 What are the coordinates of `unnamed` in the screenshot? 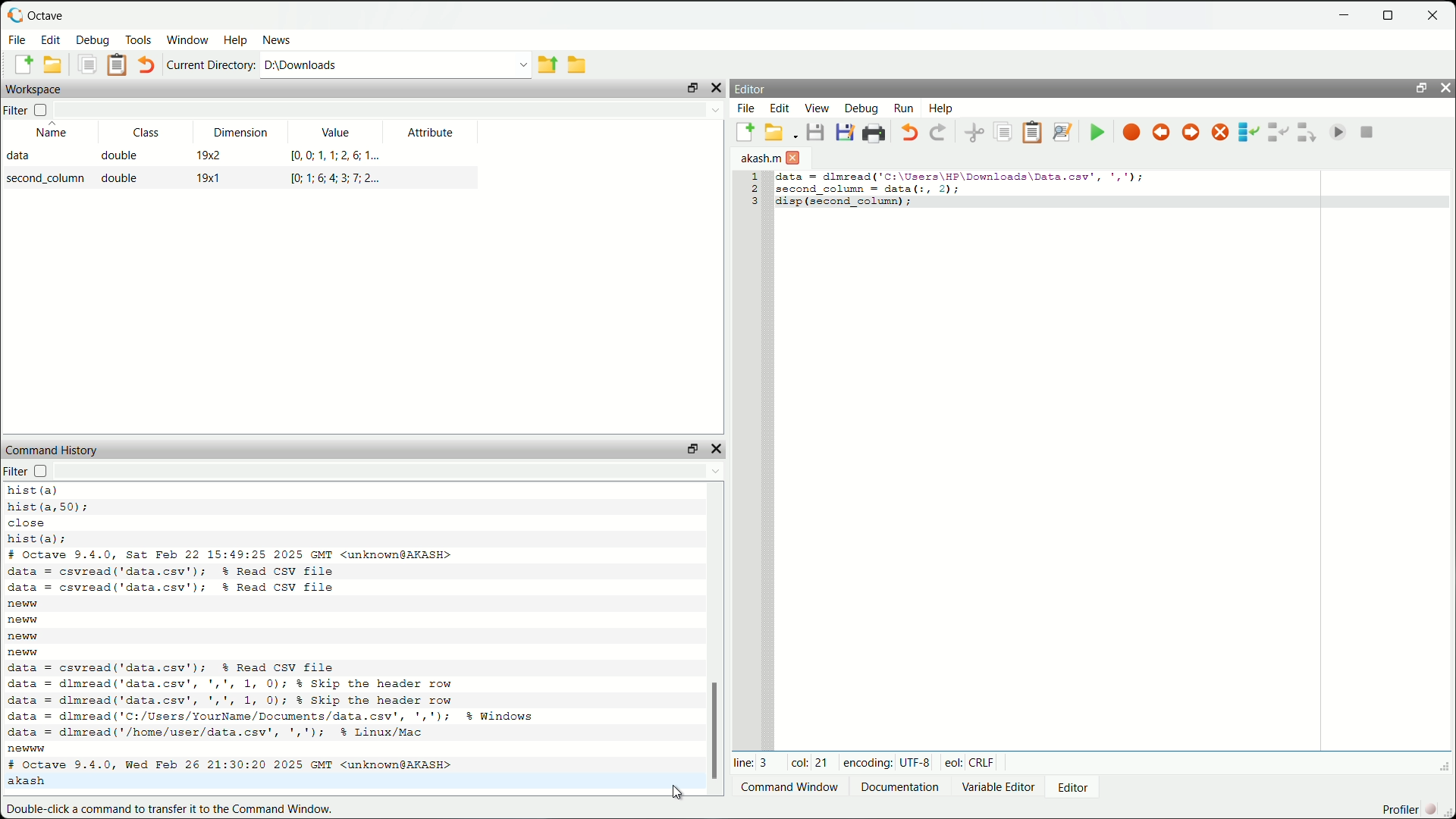 It's located at (780, 159).